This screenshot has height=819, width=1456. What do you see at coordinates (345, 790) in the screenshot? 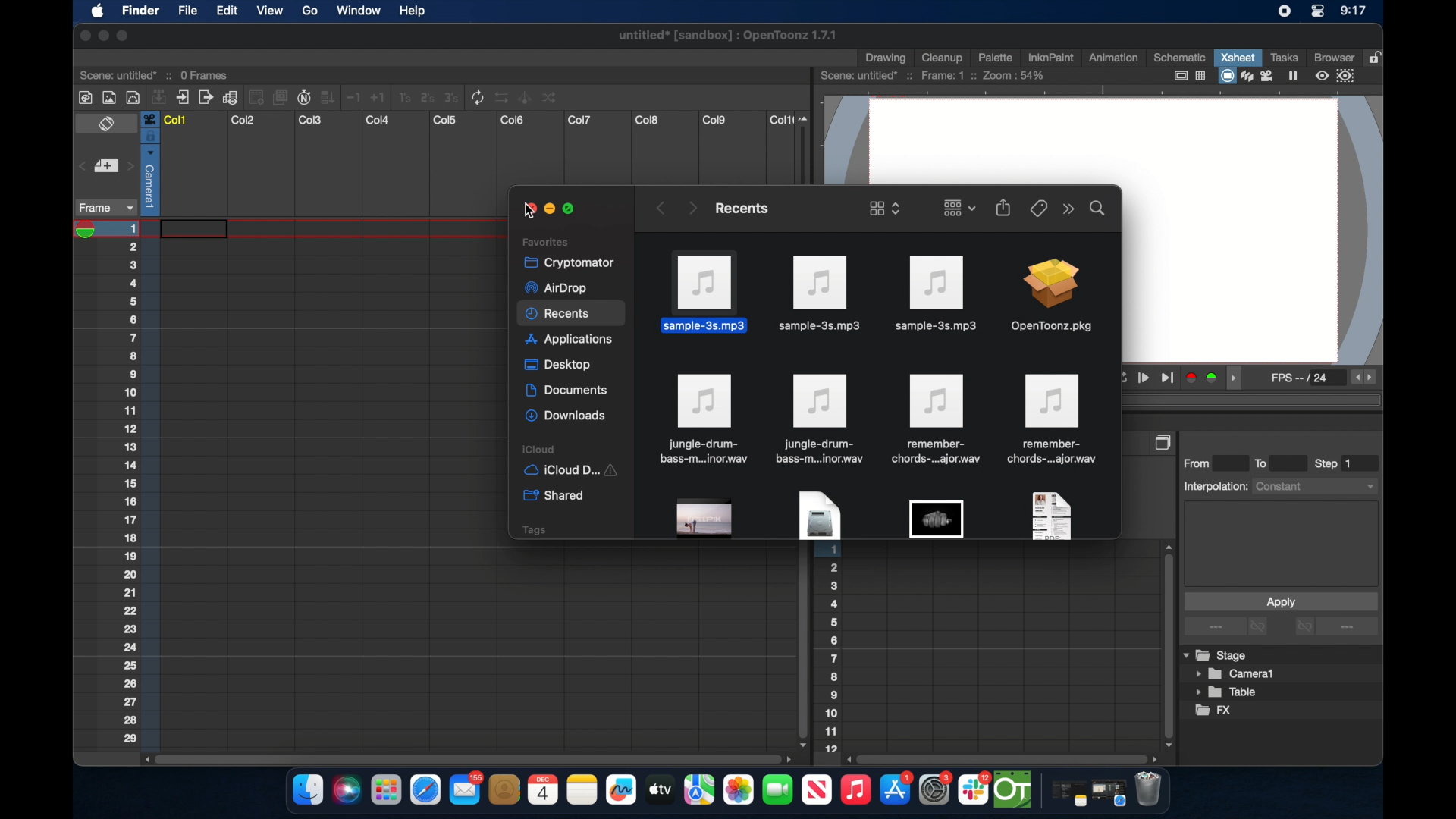
I see `siri` at bounding box center [345, 790].